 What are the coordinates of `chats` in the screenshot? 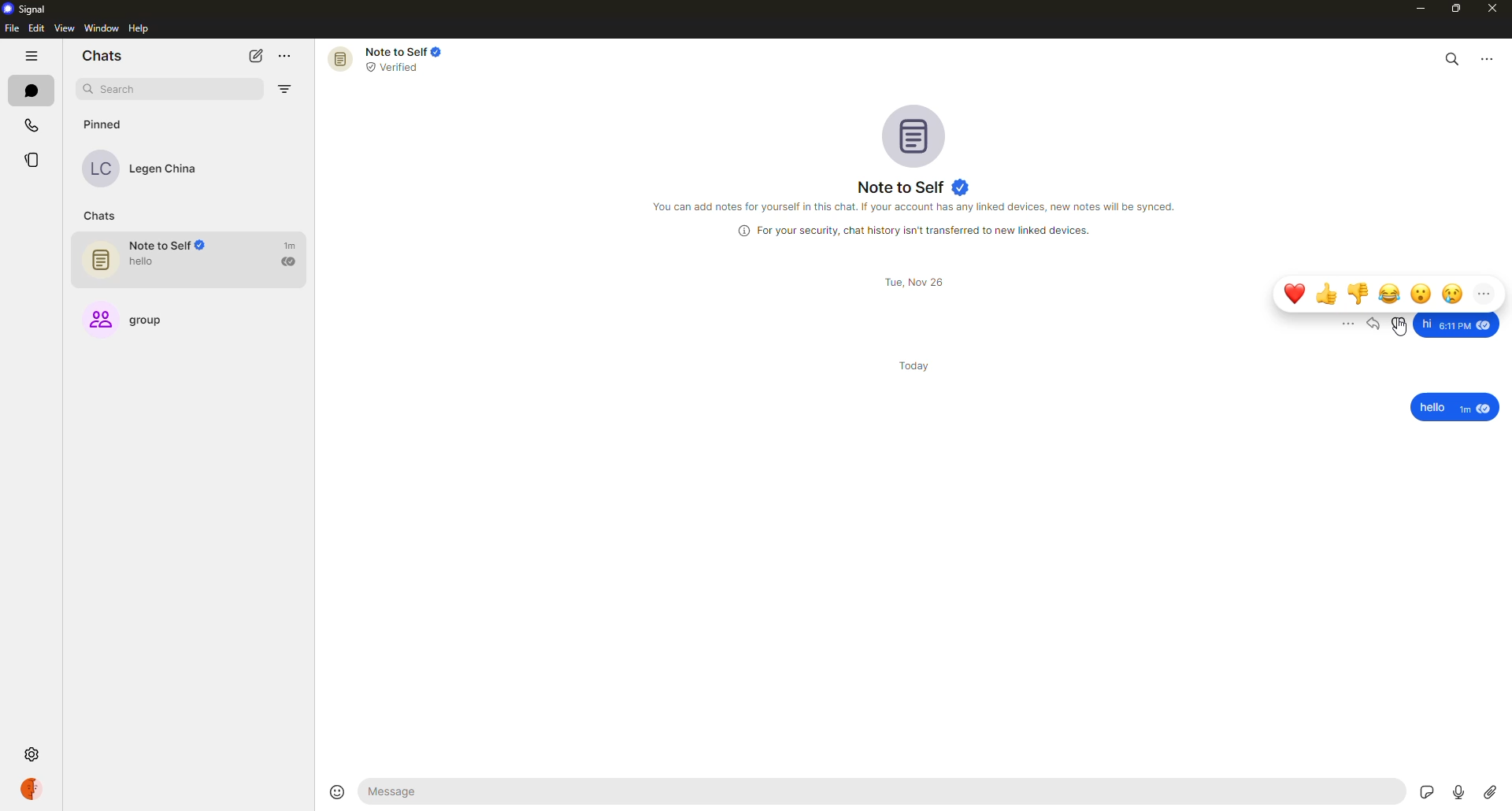 It's located at (104, 216).